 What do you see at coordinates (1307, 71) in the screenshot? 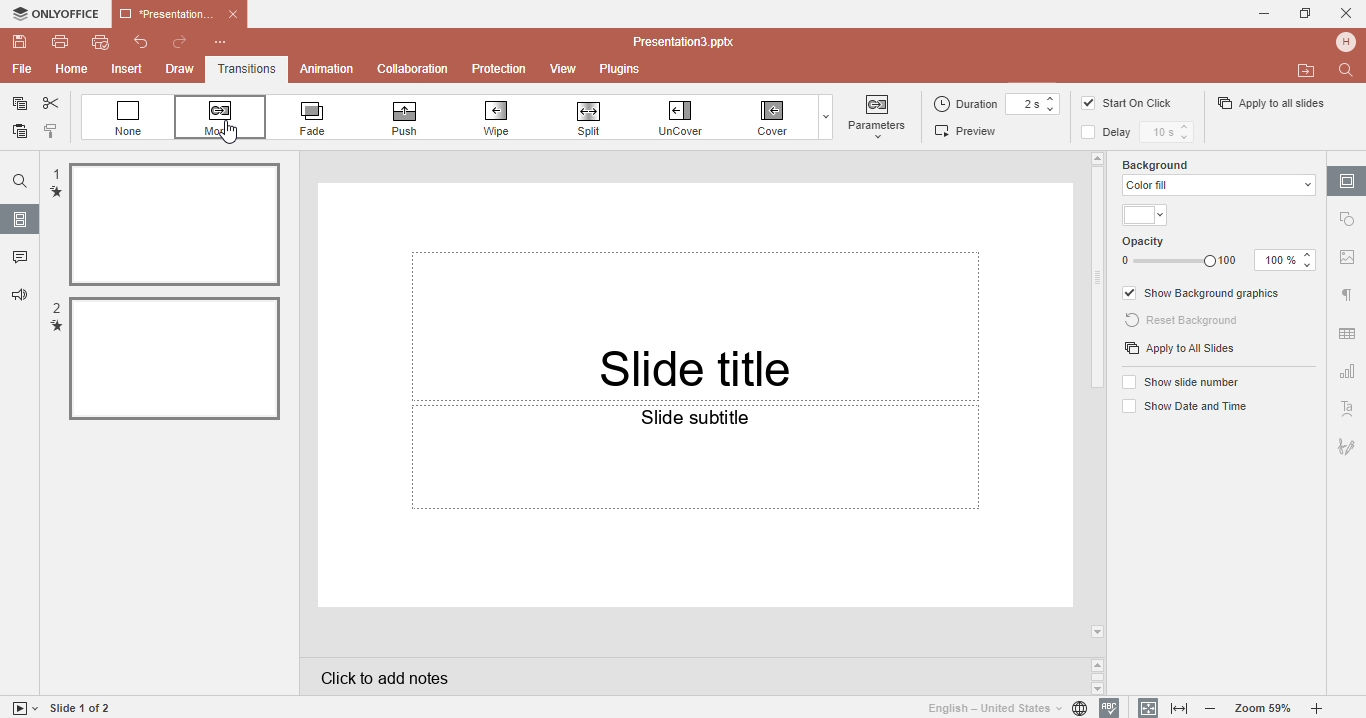
I see `Open file` at bounding box center [1307, 71].